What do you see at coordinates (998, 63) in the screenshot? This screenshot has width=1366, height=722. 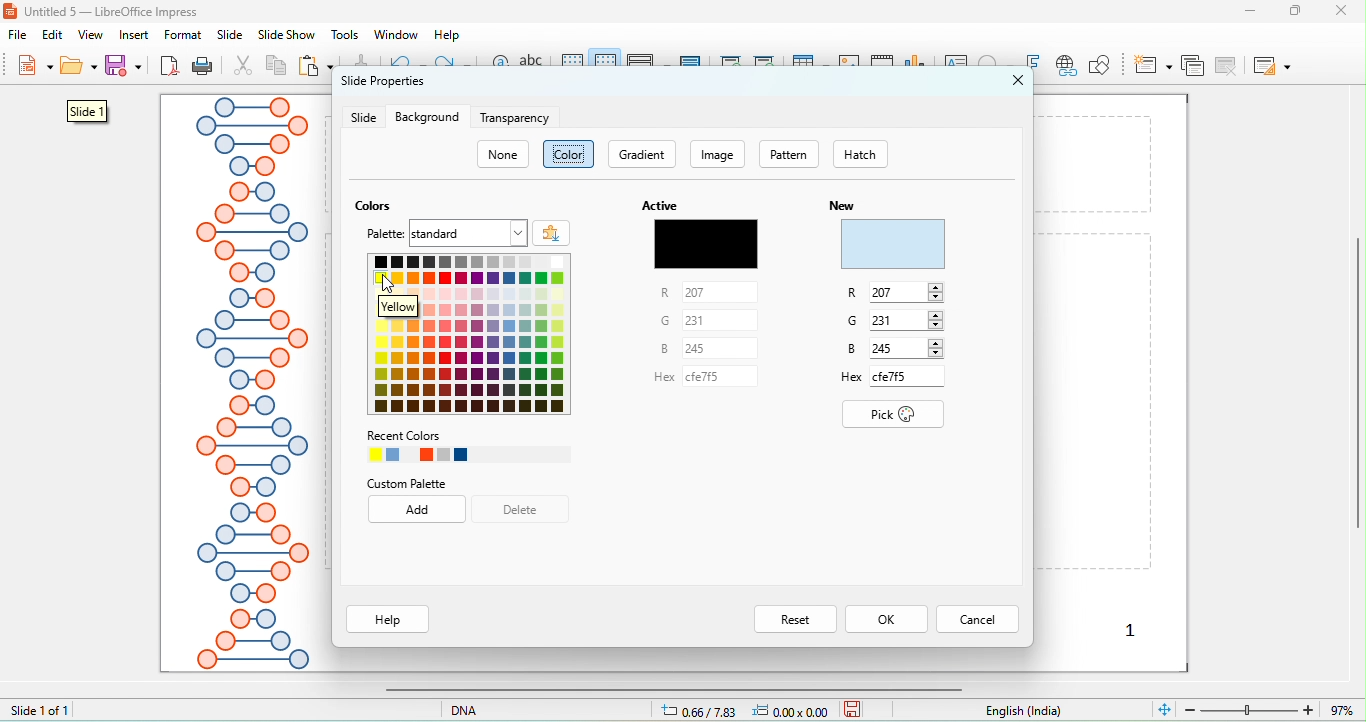 I see `special characters` at bounding box center [998, 63].